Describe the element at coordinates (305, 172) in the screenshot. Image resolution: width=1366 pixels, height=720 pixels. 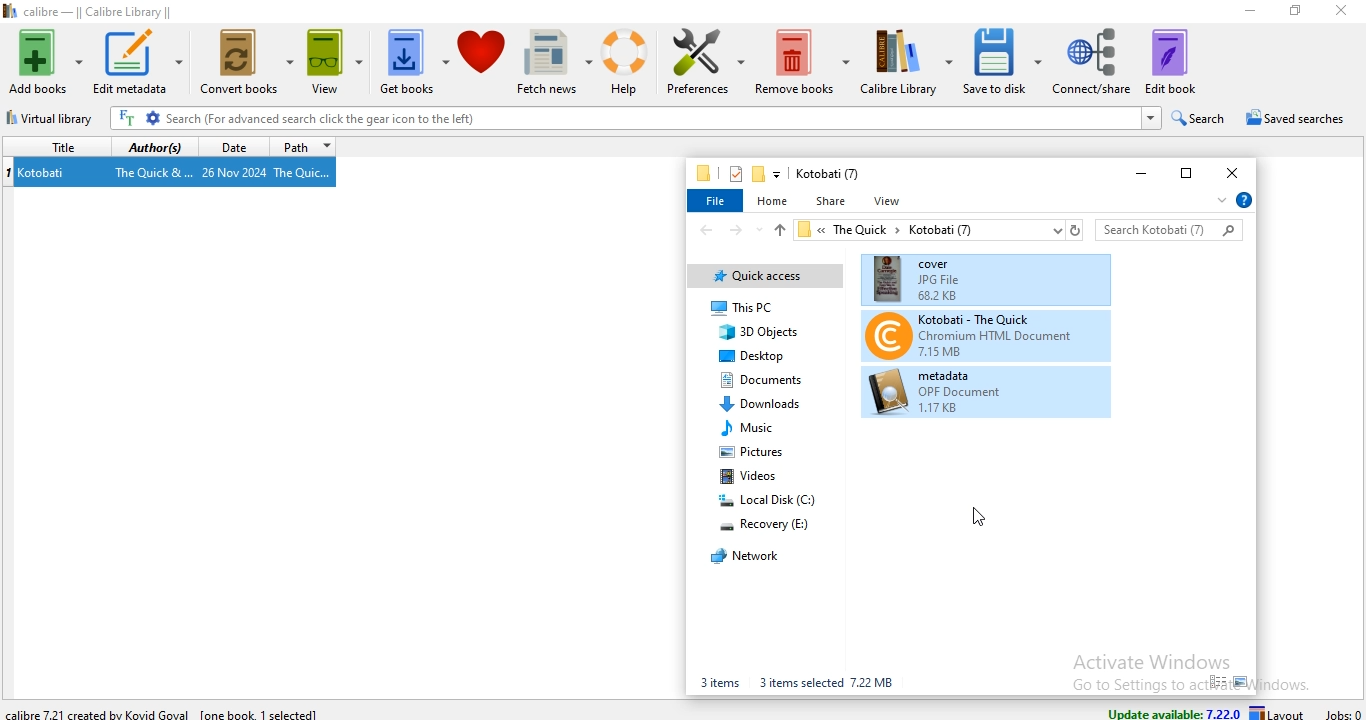
I see `The Quic...` at that location.